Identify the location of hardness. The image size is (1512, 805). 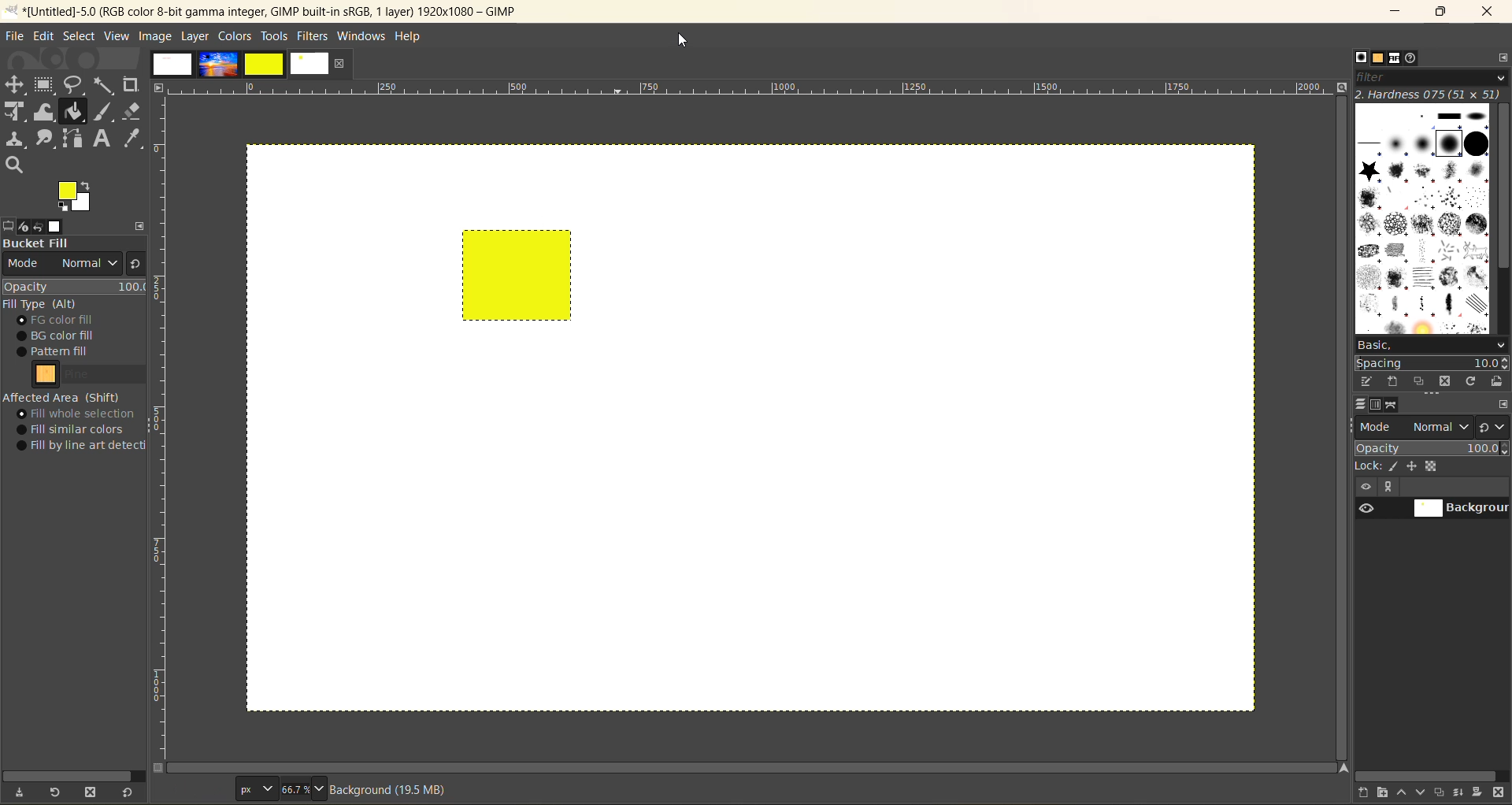
(1430, 95).